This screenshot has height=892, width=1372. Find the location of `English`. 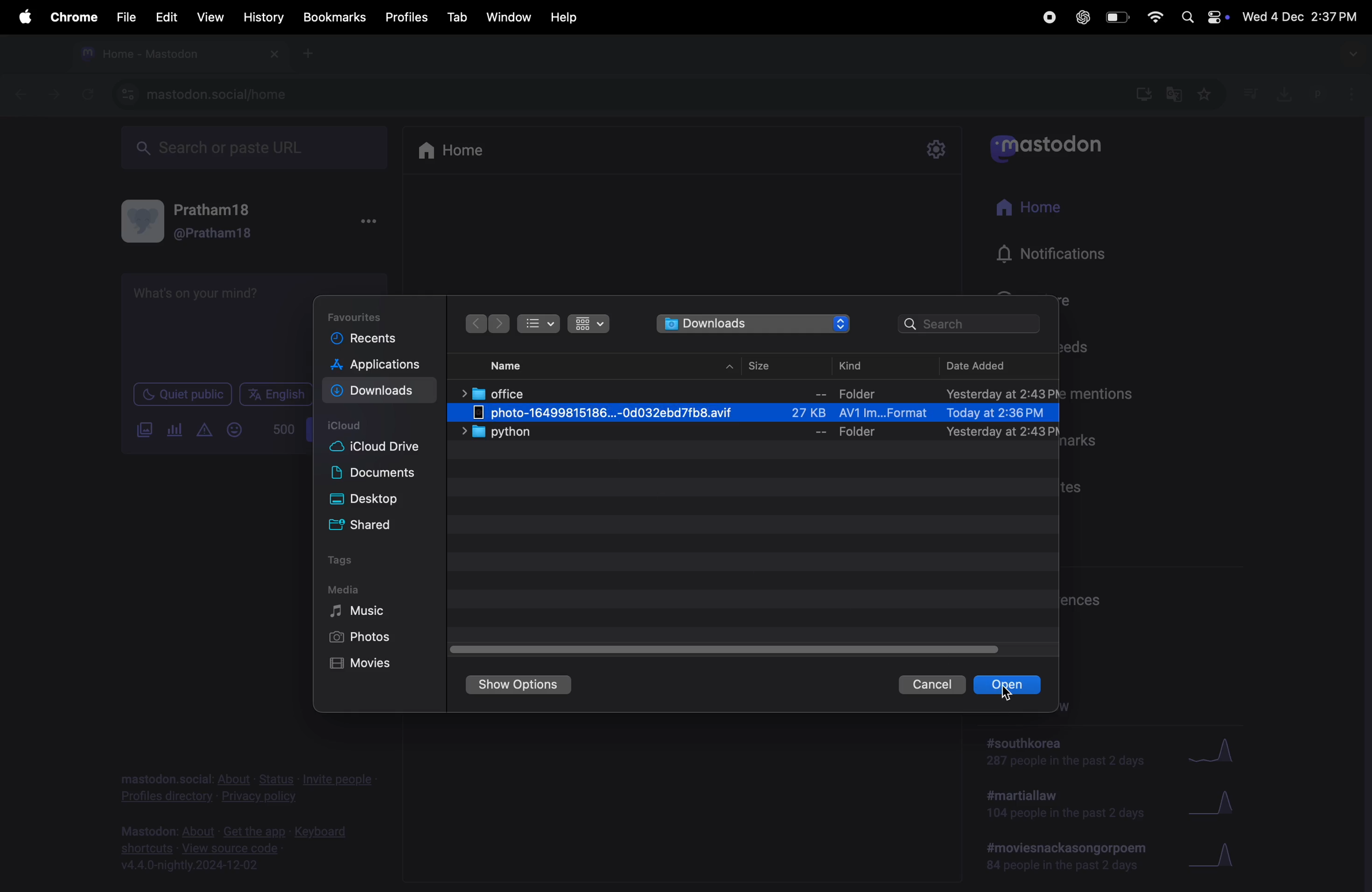

English is located at coordinates (276, 394).